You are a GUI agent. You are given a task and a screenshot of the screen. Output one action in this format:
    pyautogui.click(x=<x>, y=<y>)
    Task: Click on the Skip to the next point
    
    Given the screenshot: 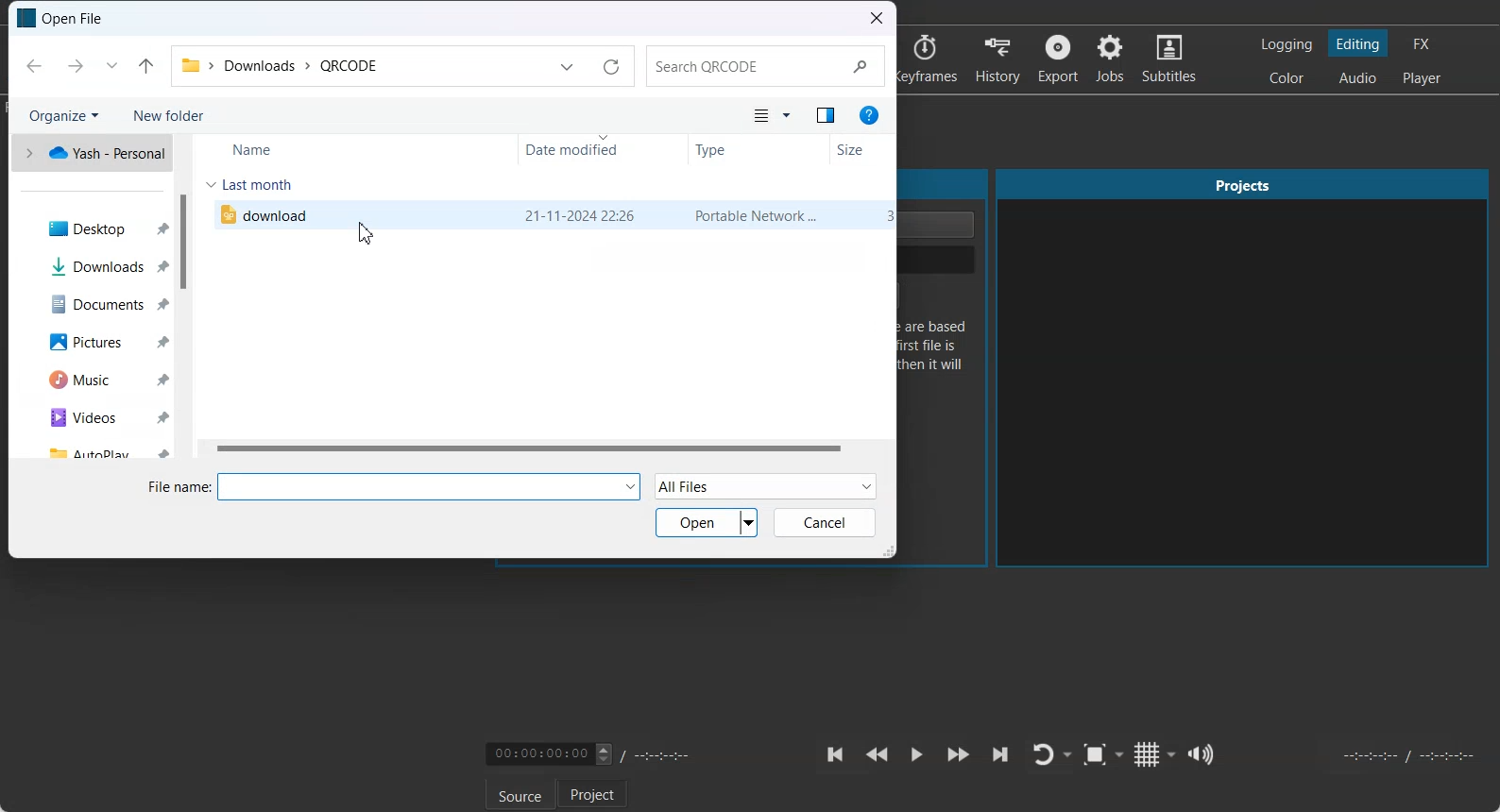 What is the action you would take?
    pyautogui.click(x=999, y=753)
    